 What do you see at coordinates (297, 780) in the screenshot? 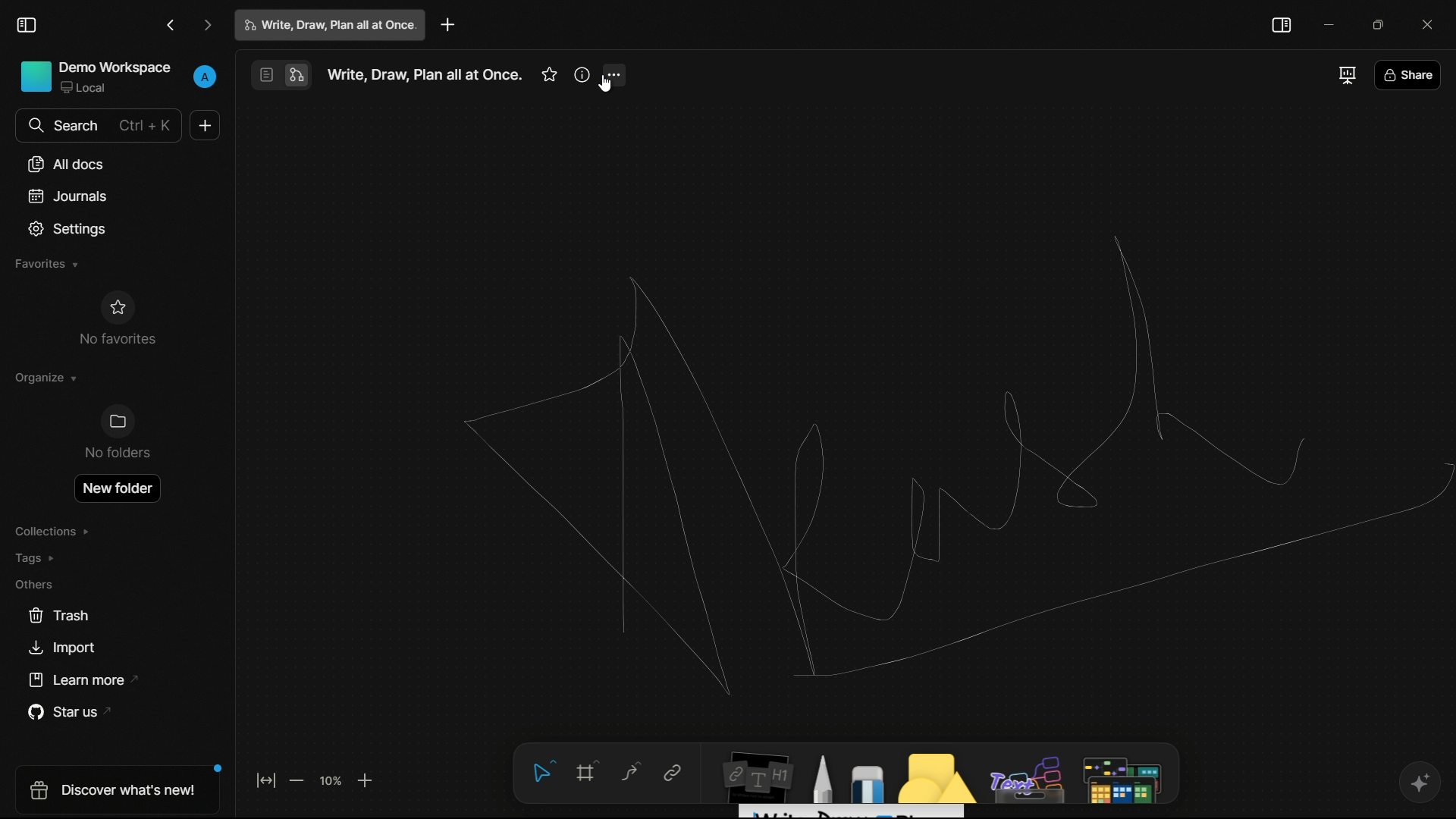
I see `zoom out` at bounding box center [297, 780].